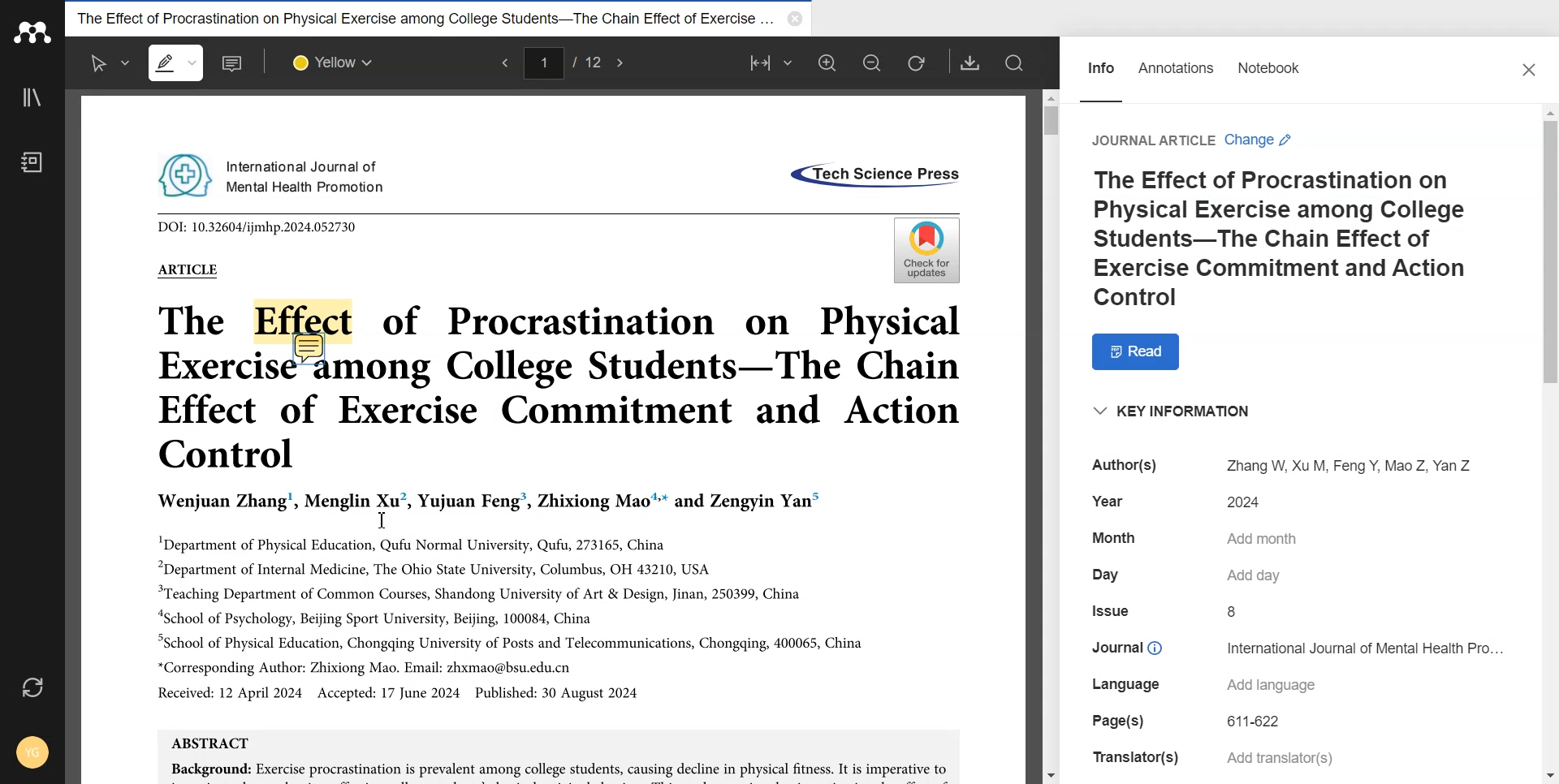  Describe the element at coordinates (32, 32) in the screenshot. I see `Logo` at that location.